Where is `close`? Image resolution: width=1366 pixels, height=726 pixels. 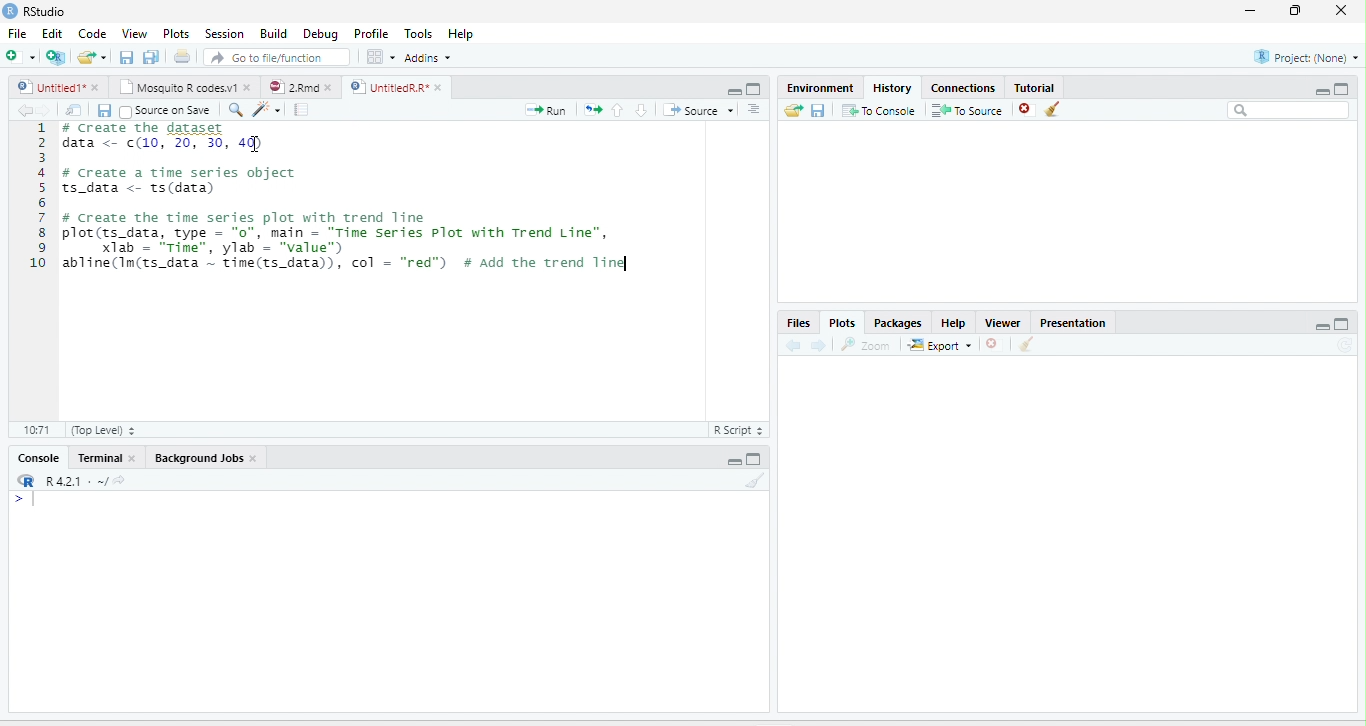
close is located at coordinates (248, 87).